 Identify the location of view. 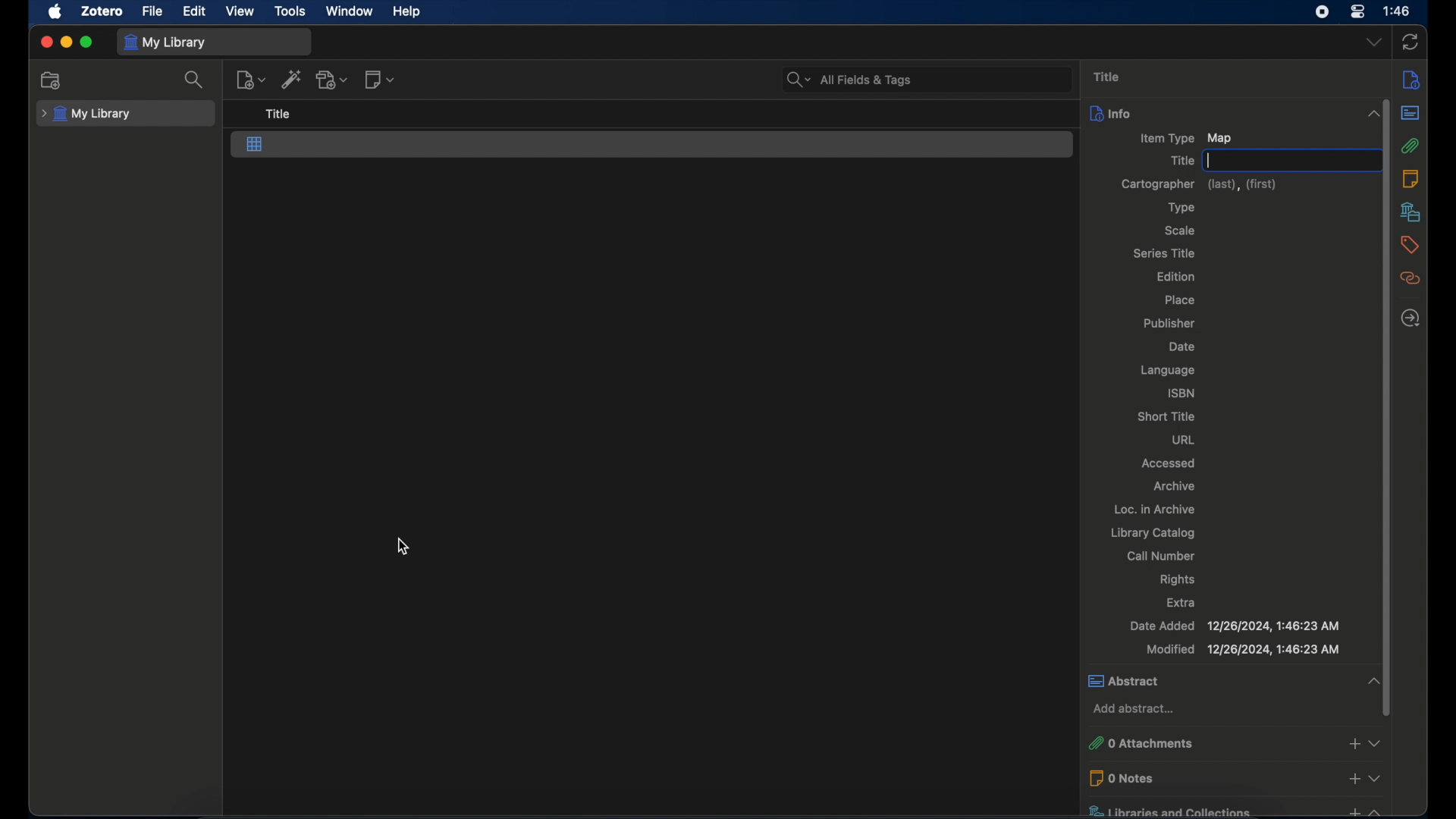
(241, 11).